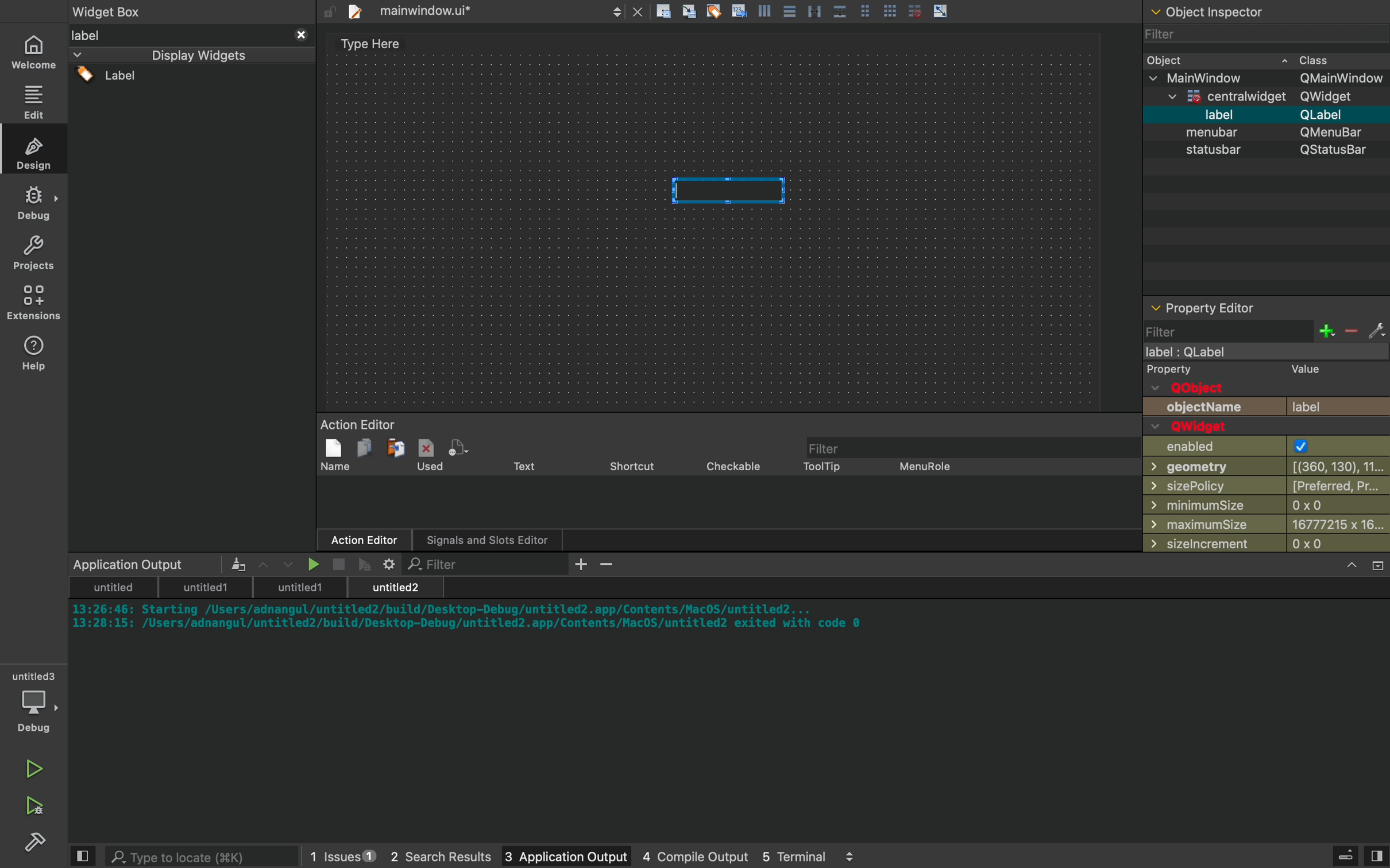 Image resolution: width=1390 pixels, height=868 pixels. What do you see at coordinates (1257, 133) in the screenshot?
I see `` at bounding box center [1257, 133].